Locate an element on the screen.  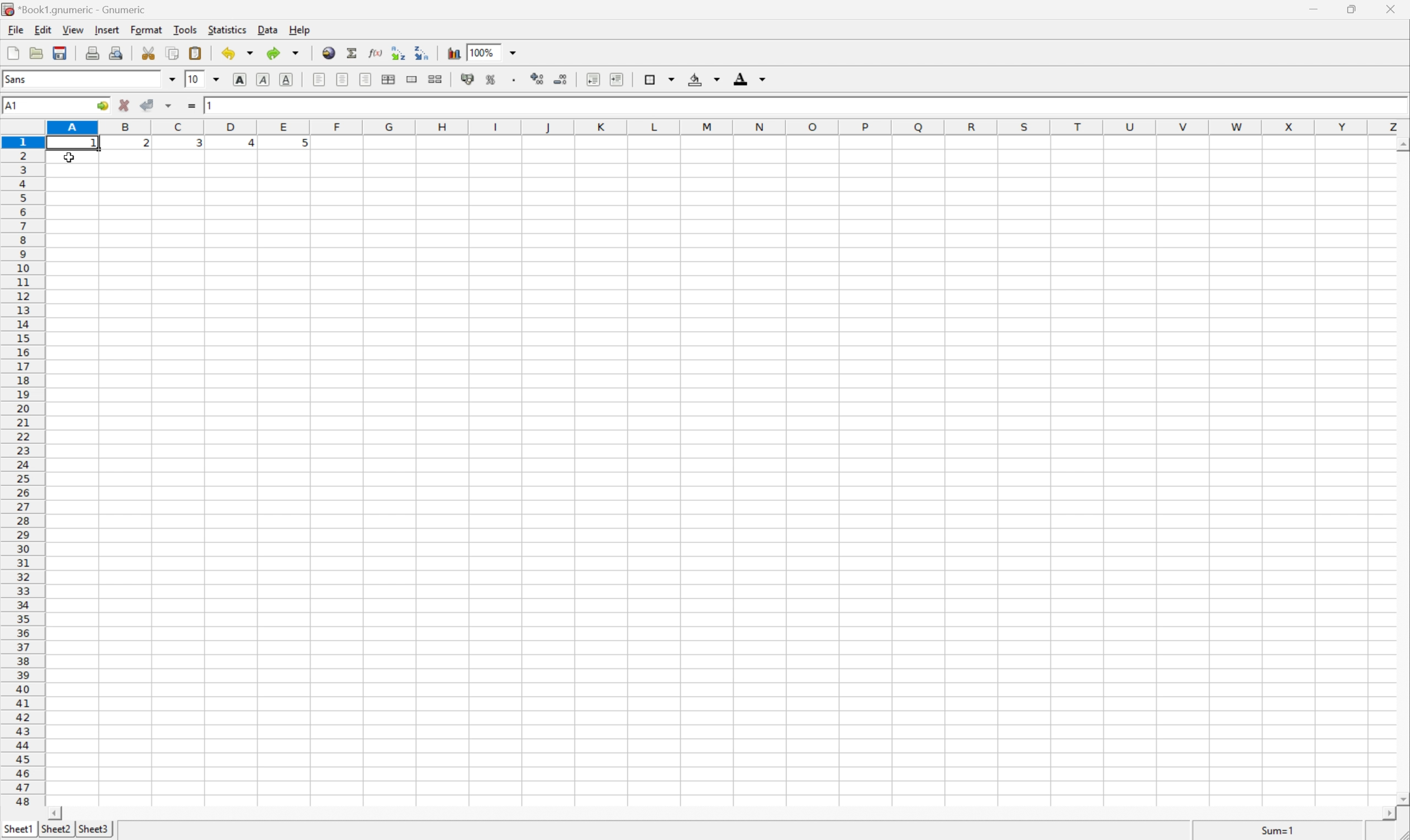
increase number of decimals displayed is located at coordinates (539, 79).